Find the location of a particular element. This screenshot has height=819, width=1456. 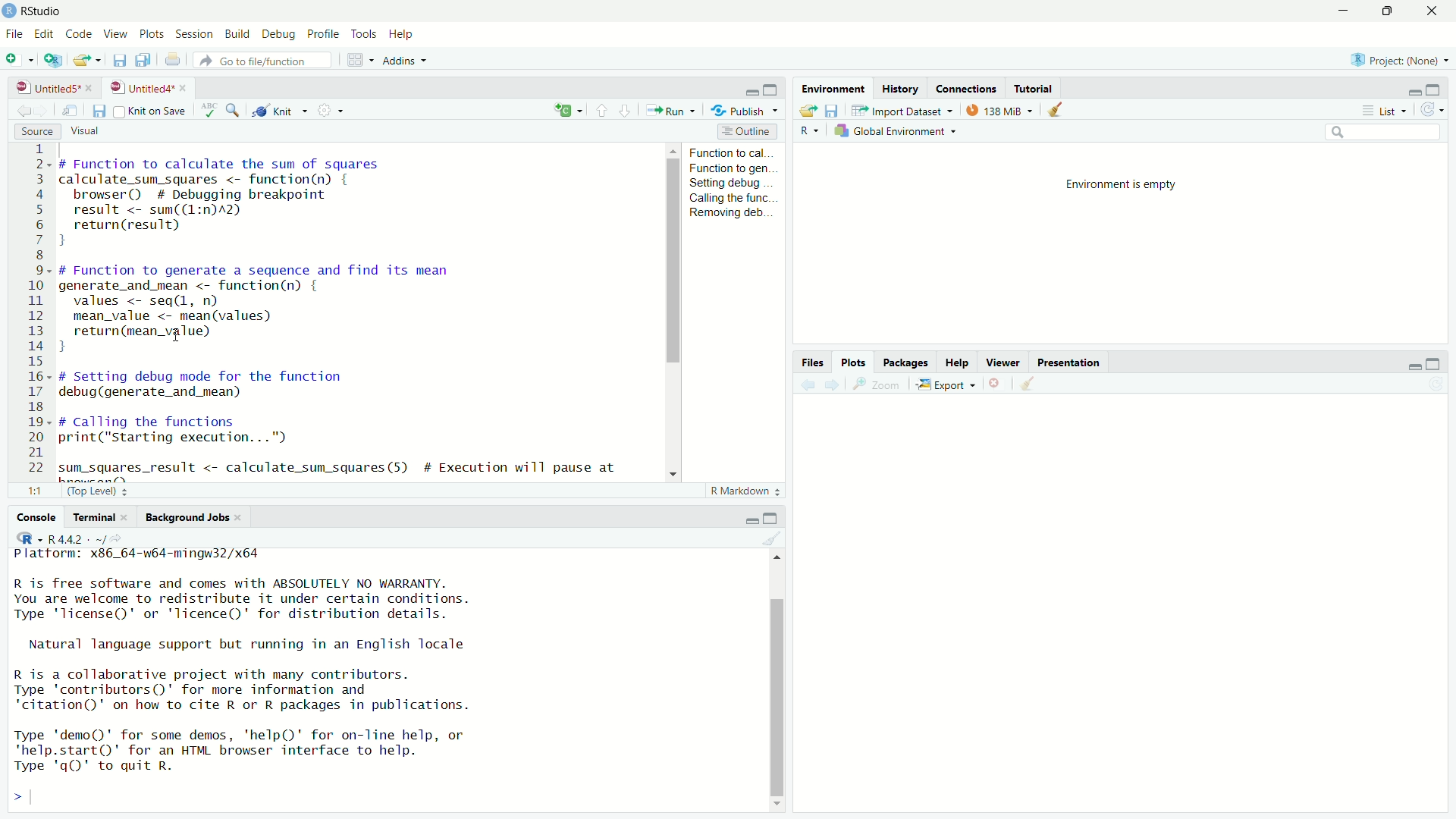

clear console is located at coordinates (773, 537).